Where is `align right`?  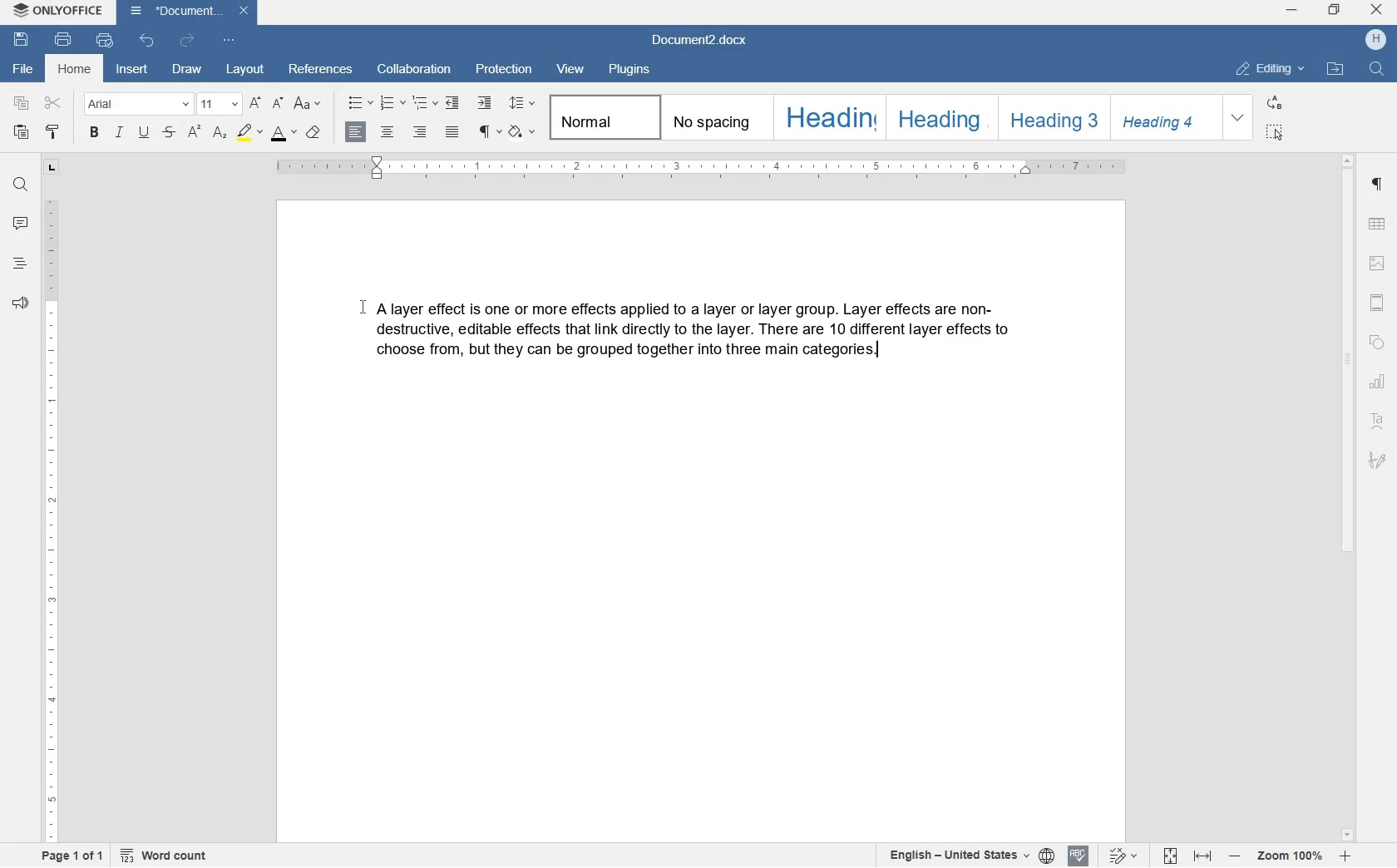 align right is located at coordinates (355, 133).